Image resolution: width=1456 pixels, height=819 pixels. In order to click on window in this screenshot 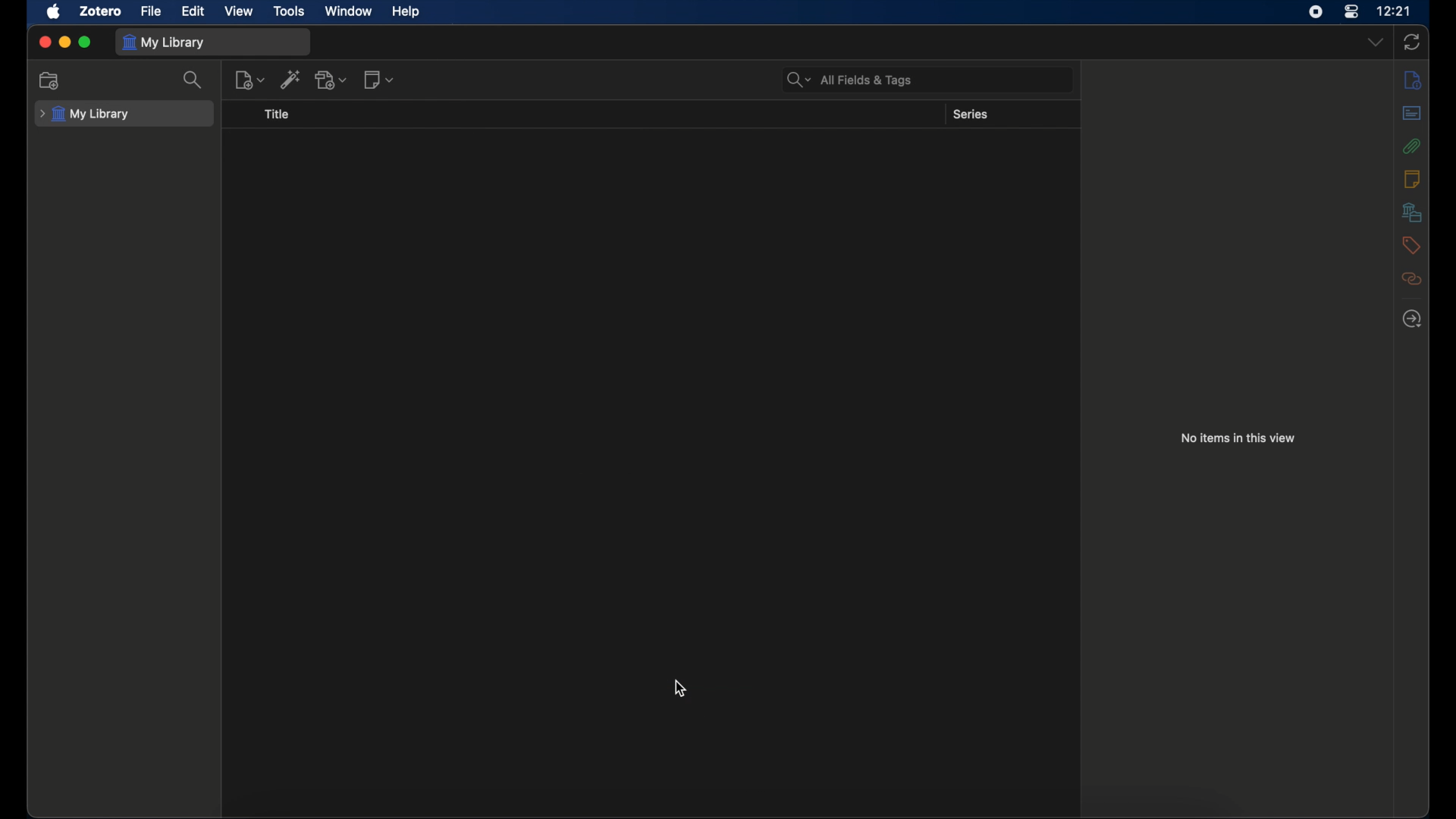, I will do `click(349, 11)`.